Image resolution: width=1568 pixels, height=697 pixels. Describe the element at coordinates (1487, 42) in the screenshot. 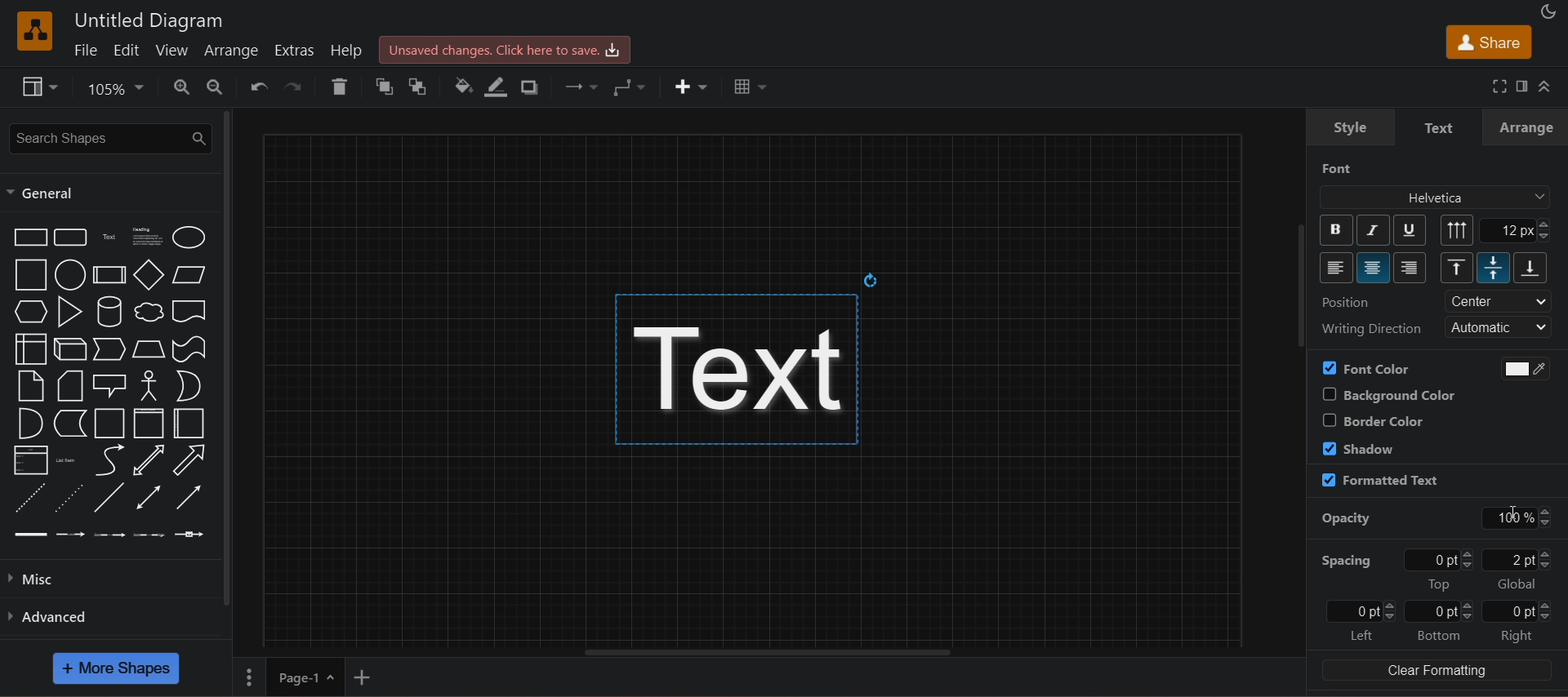

I see `share` at that location.